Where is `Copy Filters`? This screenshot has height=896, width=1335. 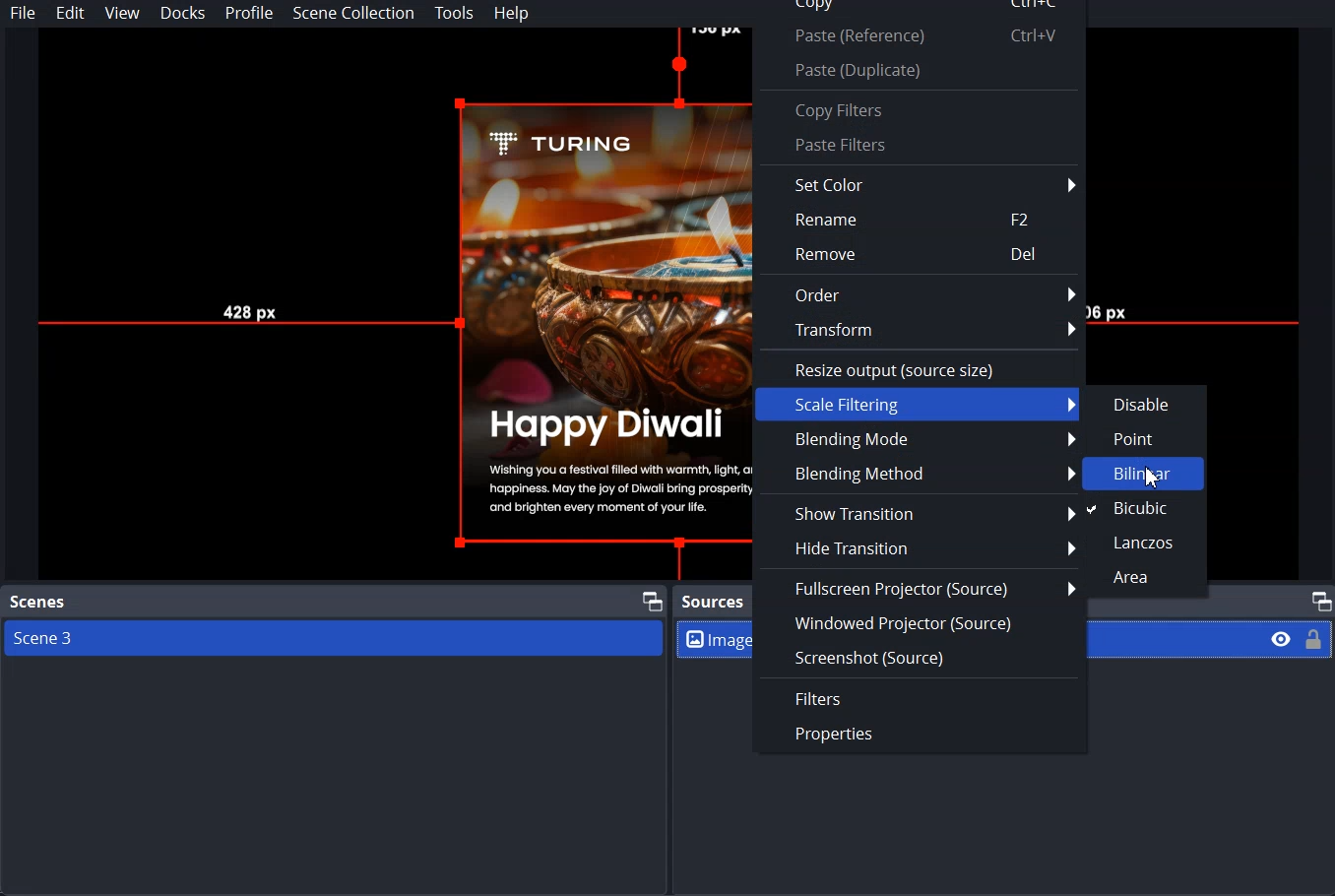 Copy Filters is located at coordinates (919, 109).